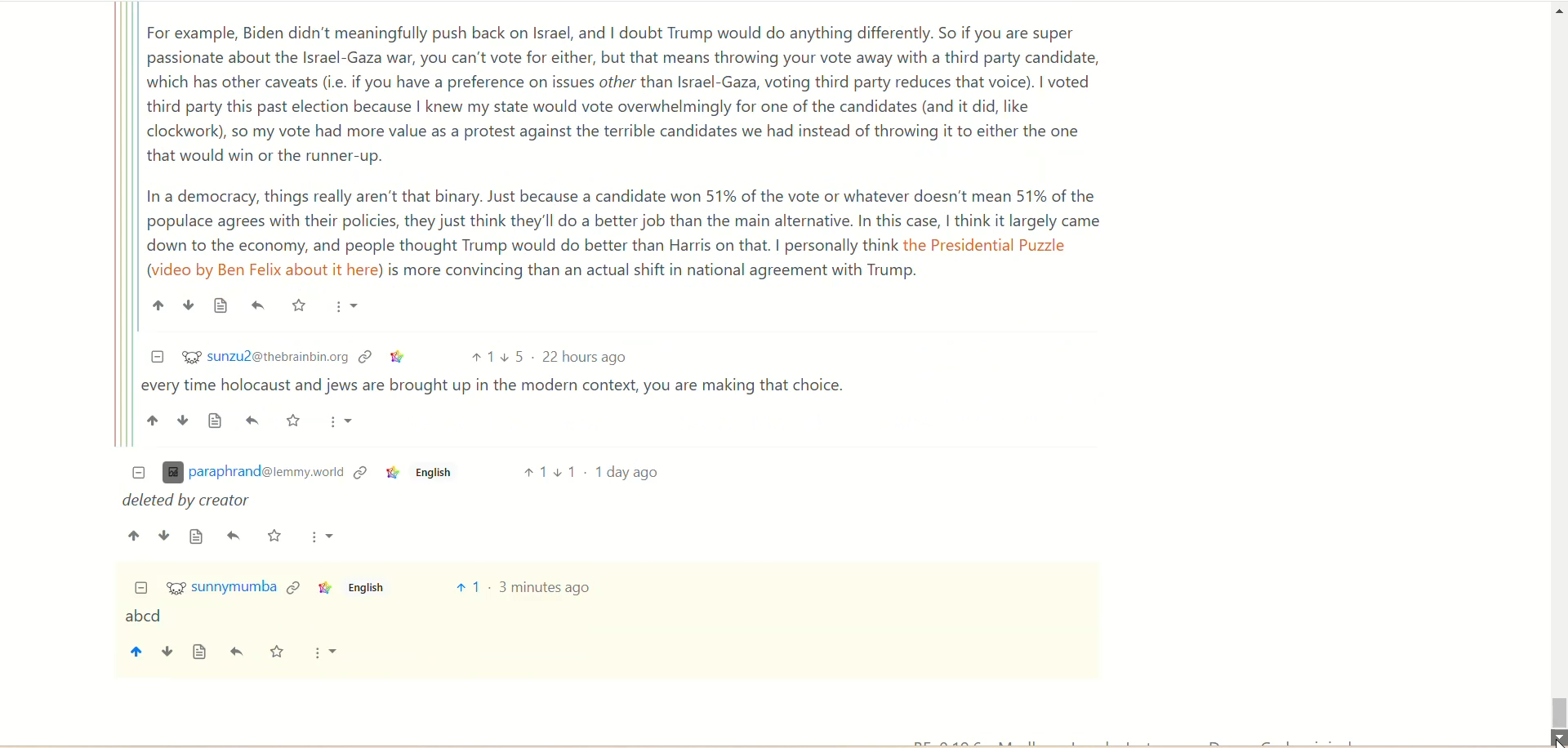 This screenshot has height=748, width=1568. What do you see at coordinates (134, 536) in the screenshot?
I see `Upvote` at bounding box center [134, 536].